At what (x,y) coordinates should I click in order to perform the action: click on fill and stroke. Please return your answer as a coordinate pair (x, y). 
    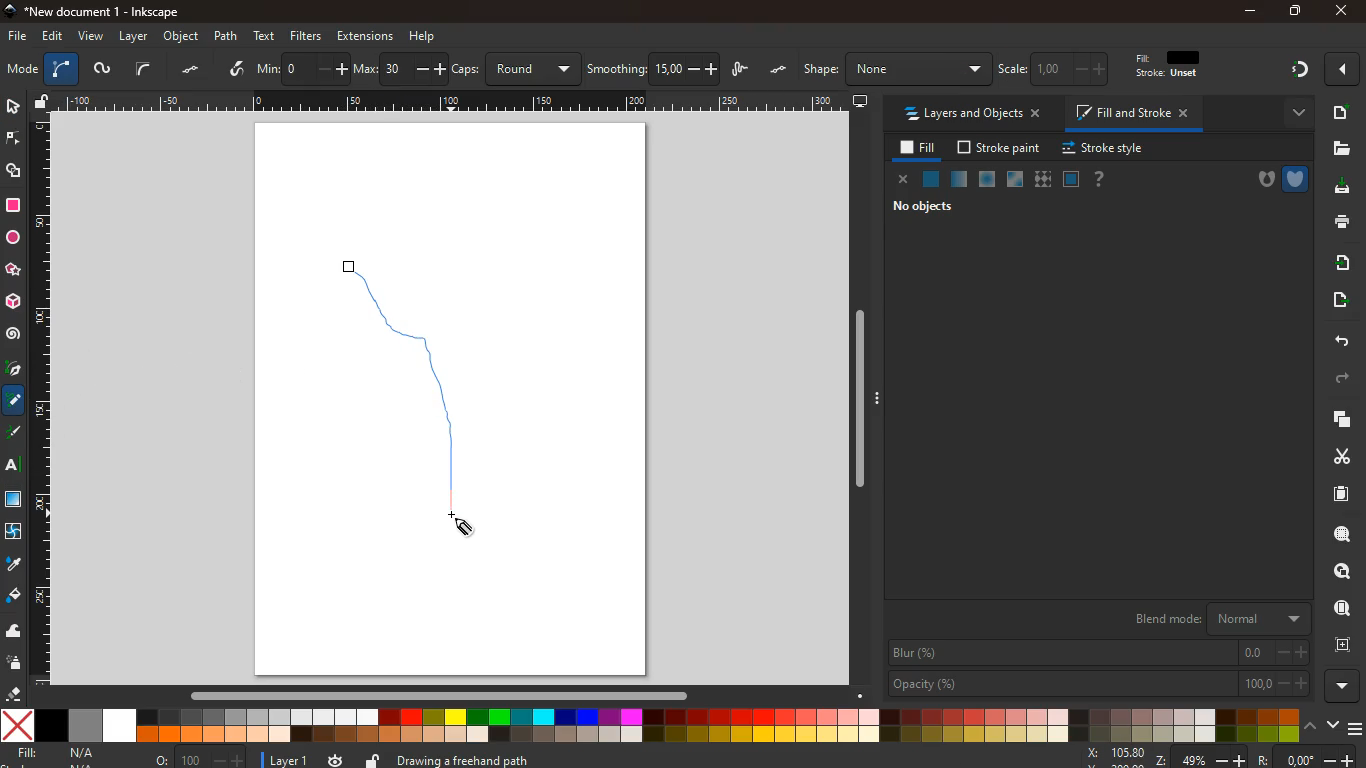
    Looking at the image, I should click on (1133, 112).